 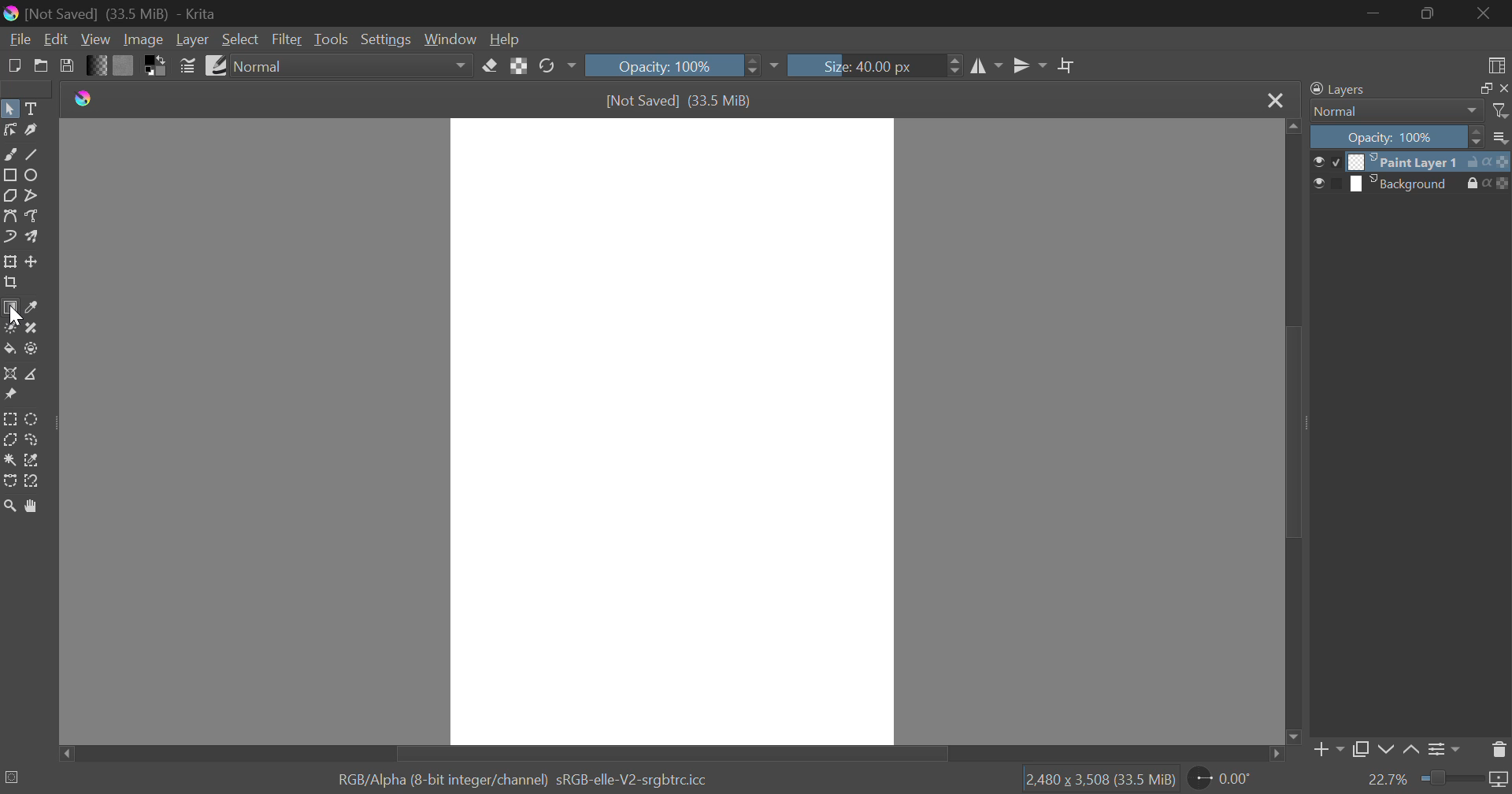 I want to click on Magnetic Selection, so click(x=31, y=481).